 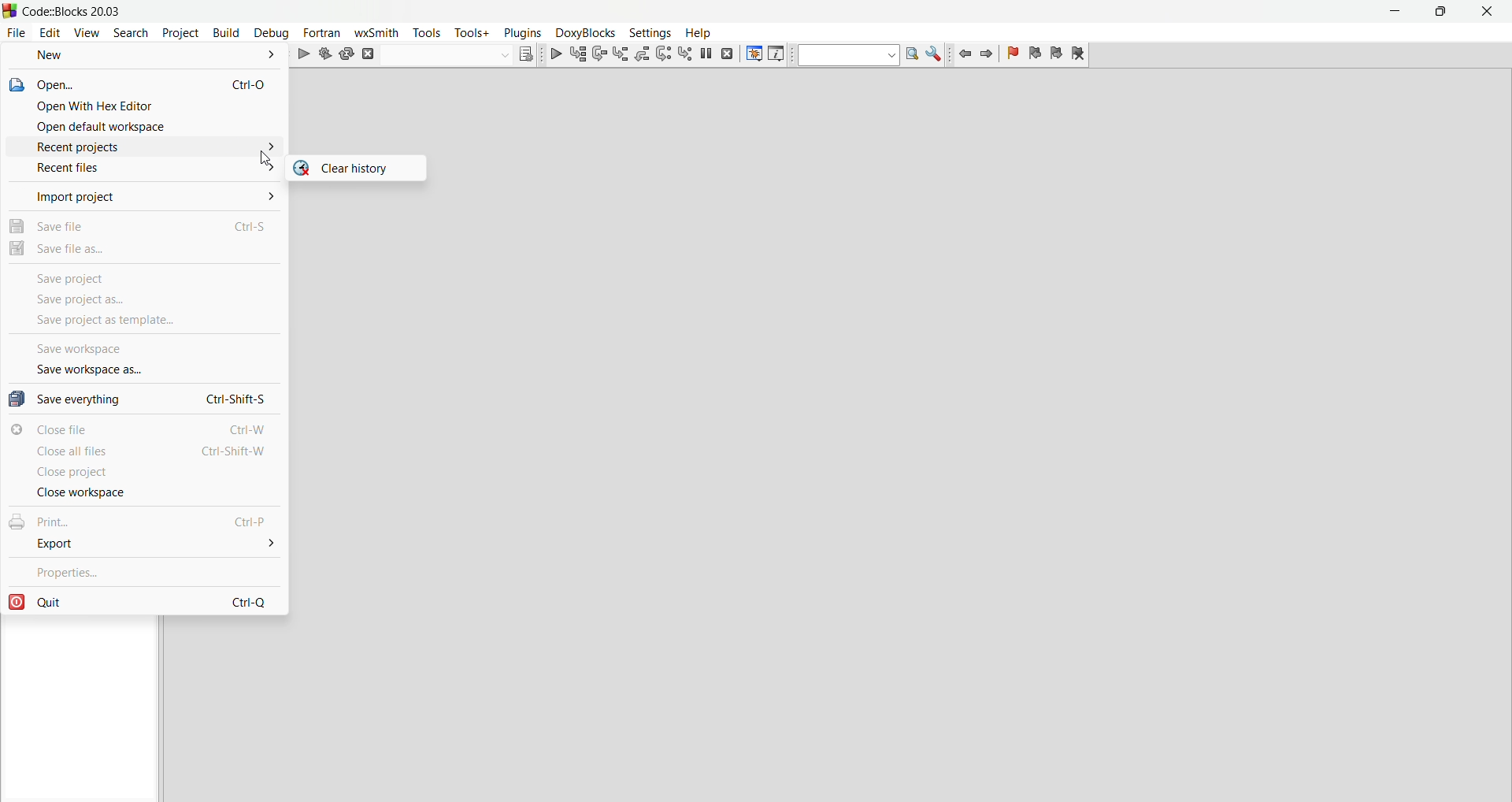 What do you see at coordinates (272, 33) in the screenshot?
I see `debug` at bounding box center [272, 33].